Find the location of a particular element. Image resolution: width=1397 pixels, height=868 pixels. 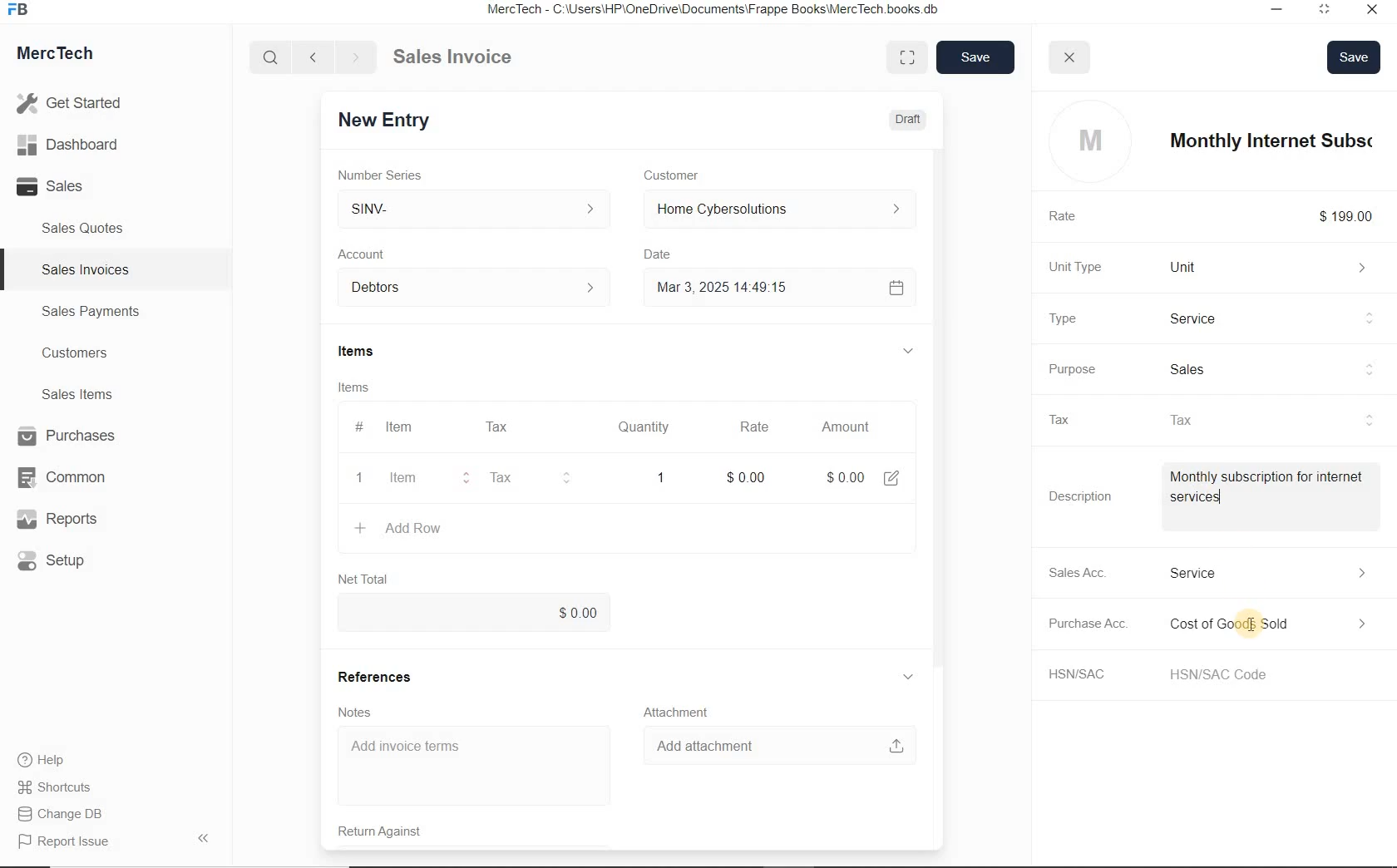

Sales is located at coordinates (75, 186).